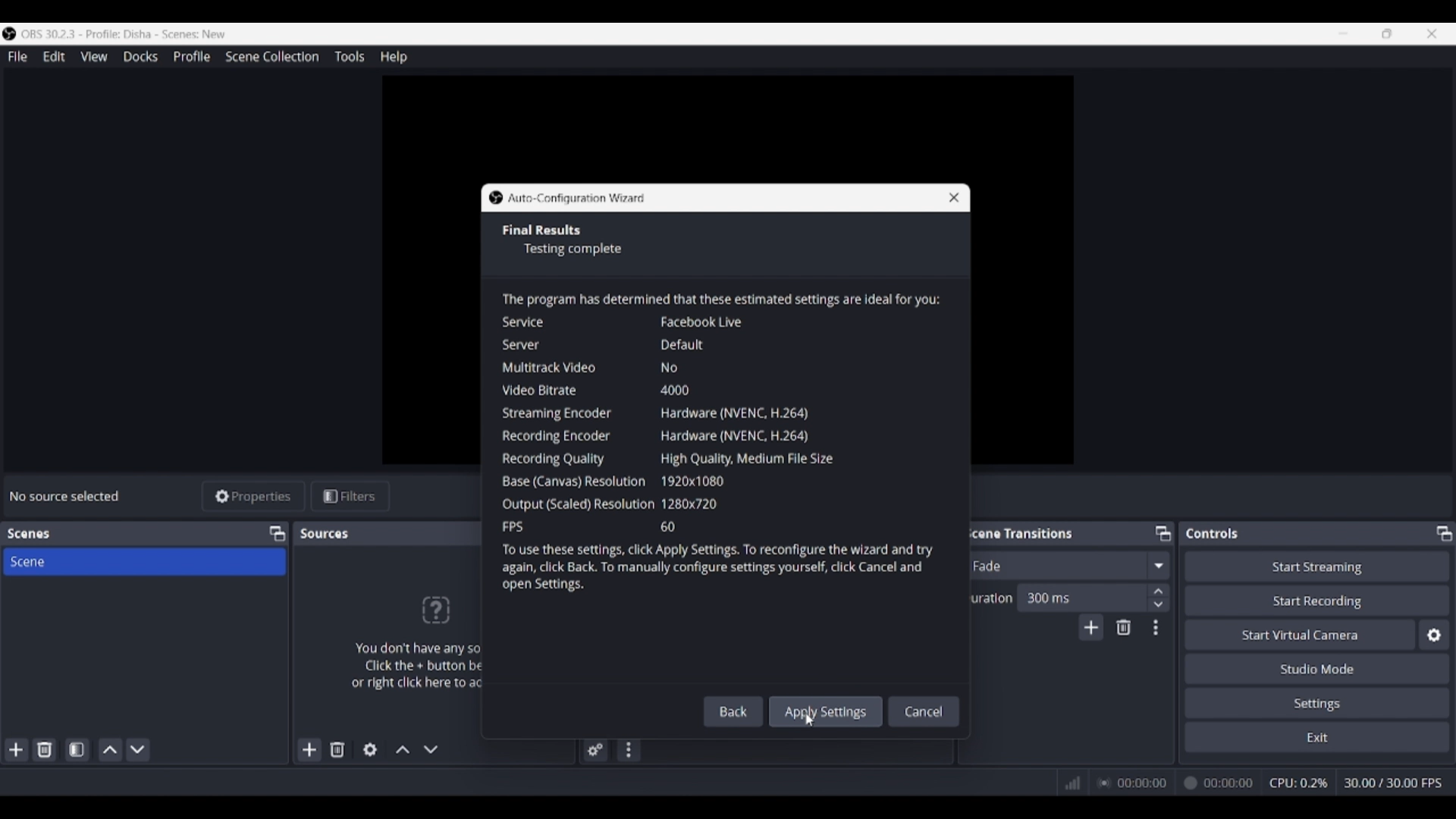 The image size is (1456, 819). I want to click on Add source, so click(310, 749).